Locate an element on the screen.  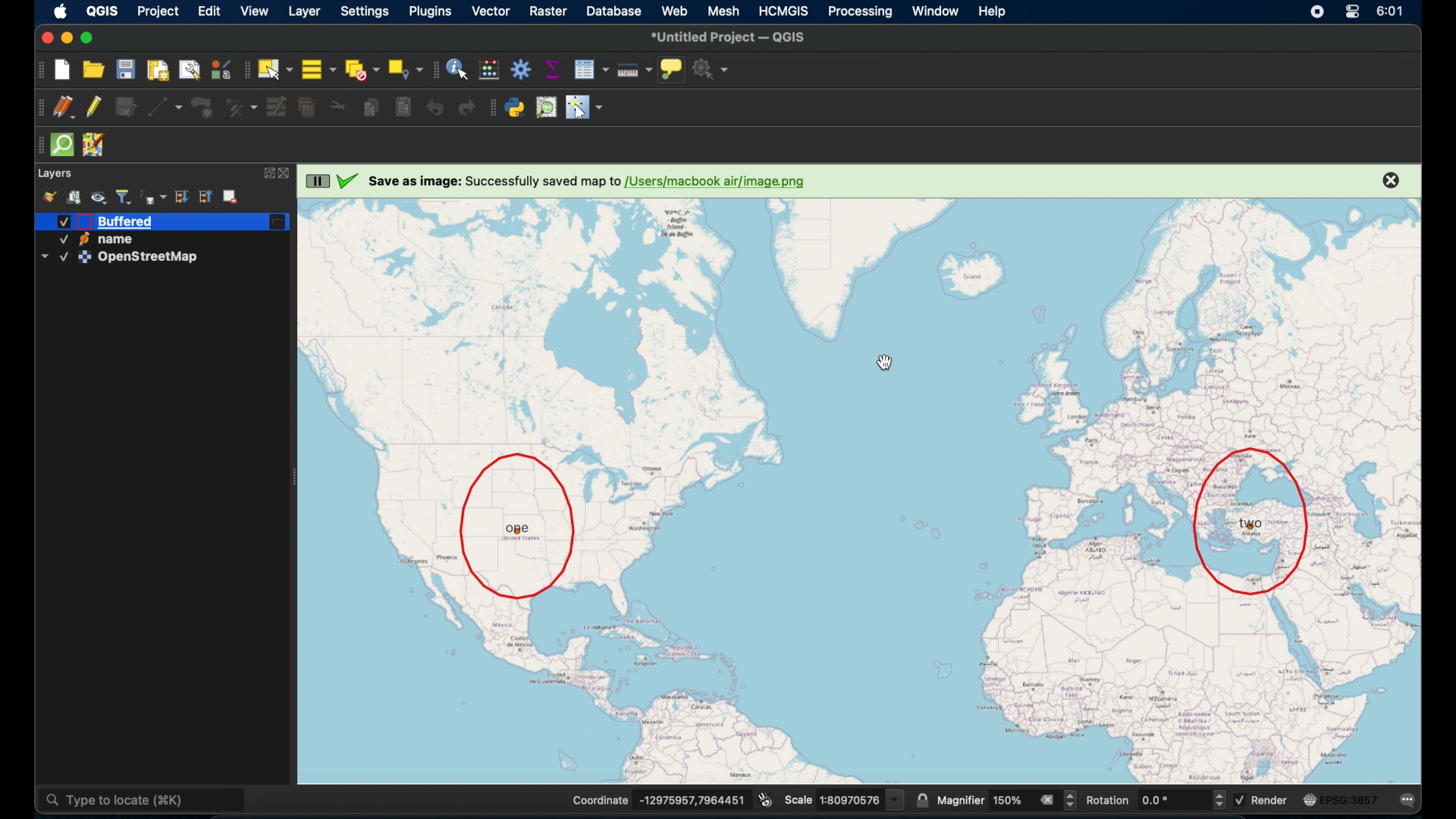
modify attributes is located at coordinates (276, 107).